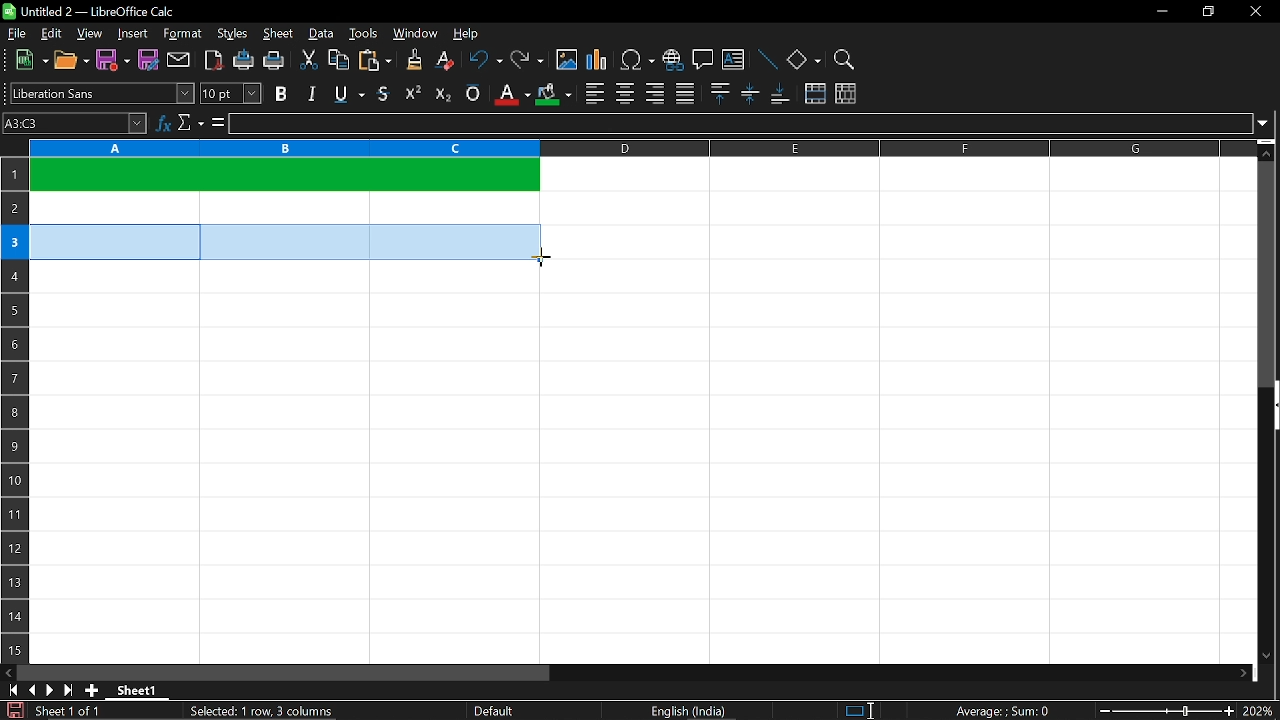 The image size is (1280, 720). I want to click on move right, so click(1245, 672).